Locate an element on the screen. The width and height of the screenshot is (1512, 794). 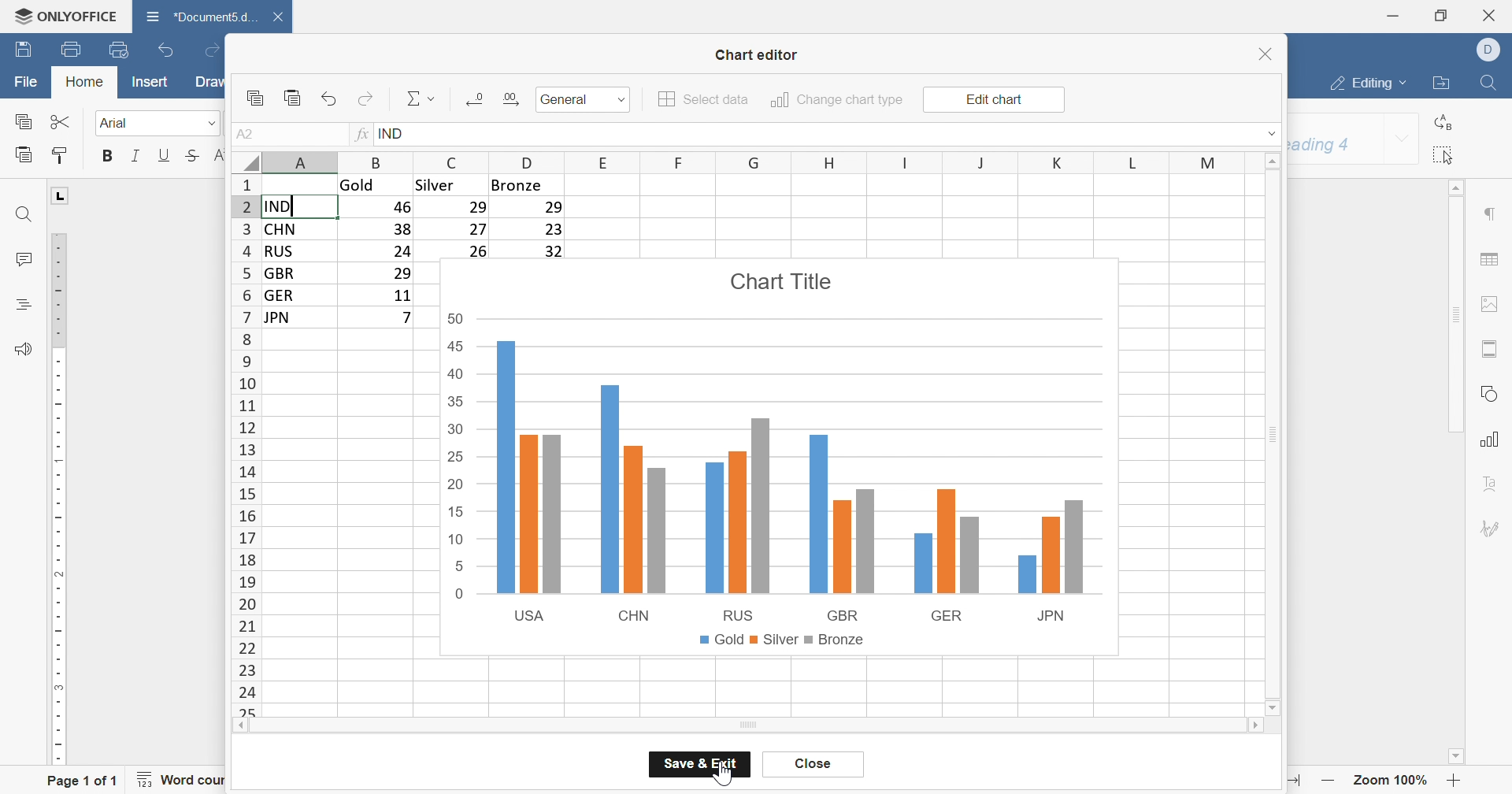
scroll bar is located at coordinates (1269, 435).